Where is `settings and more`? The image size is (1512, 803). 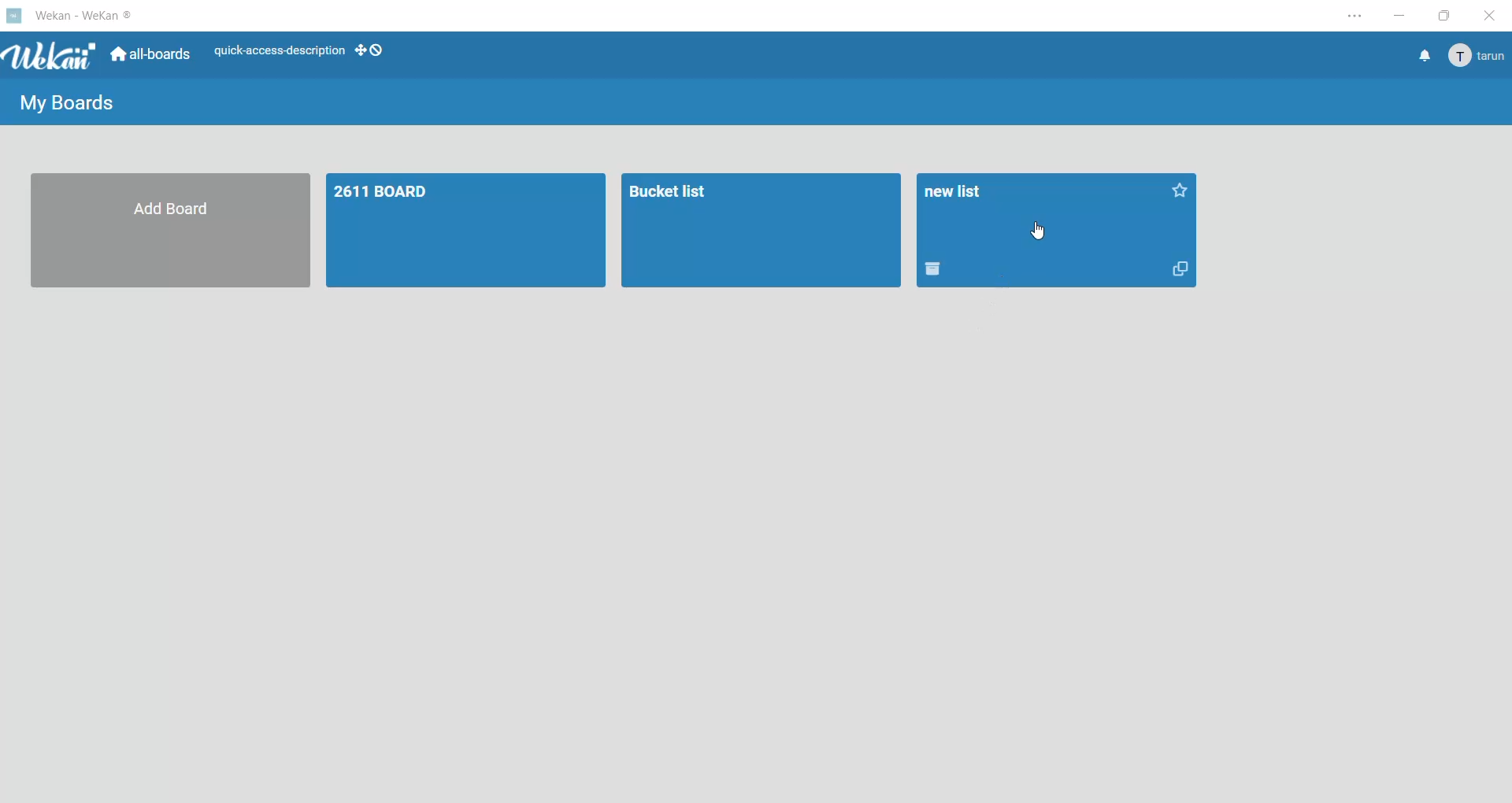
settings and more is located at coordinates (1351, 17).